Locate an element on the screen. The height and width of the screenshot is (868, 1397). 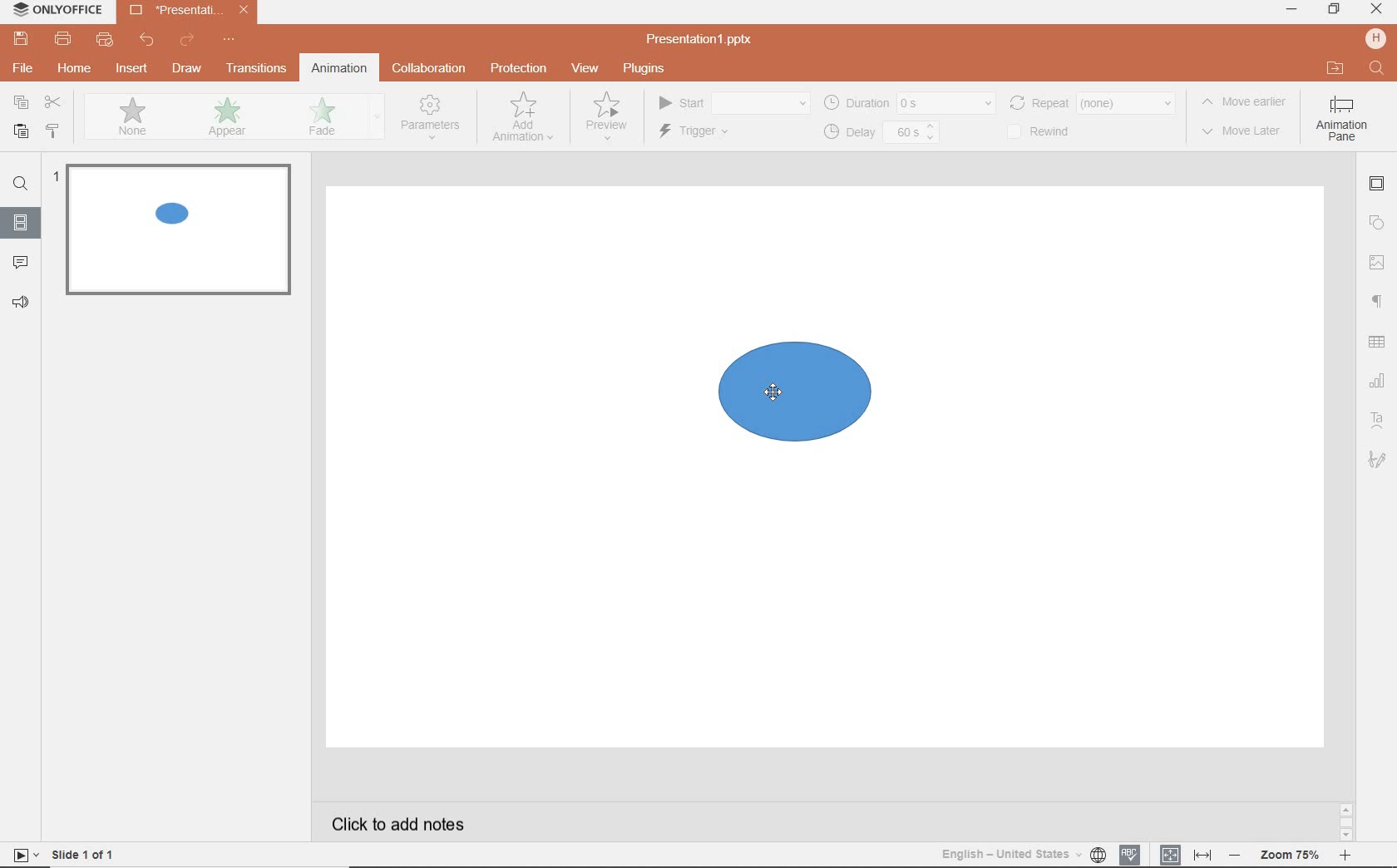
shape settings is located at coordinates (1380, 222).